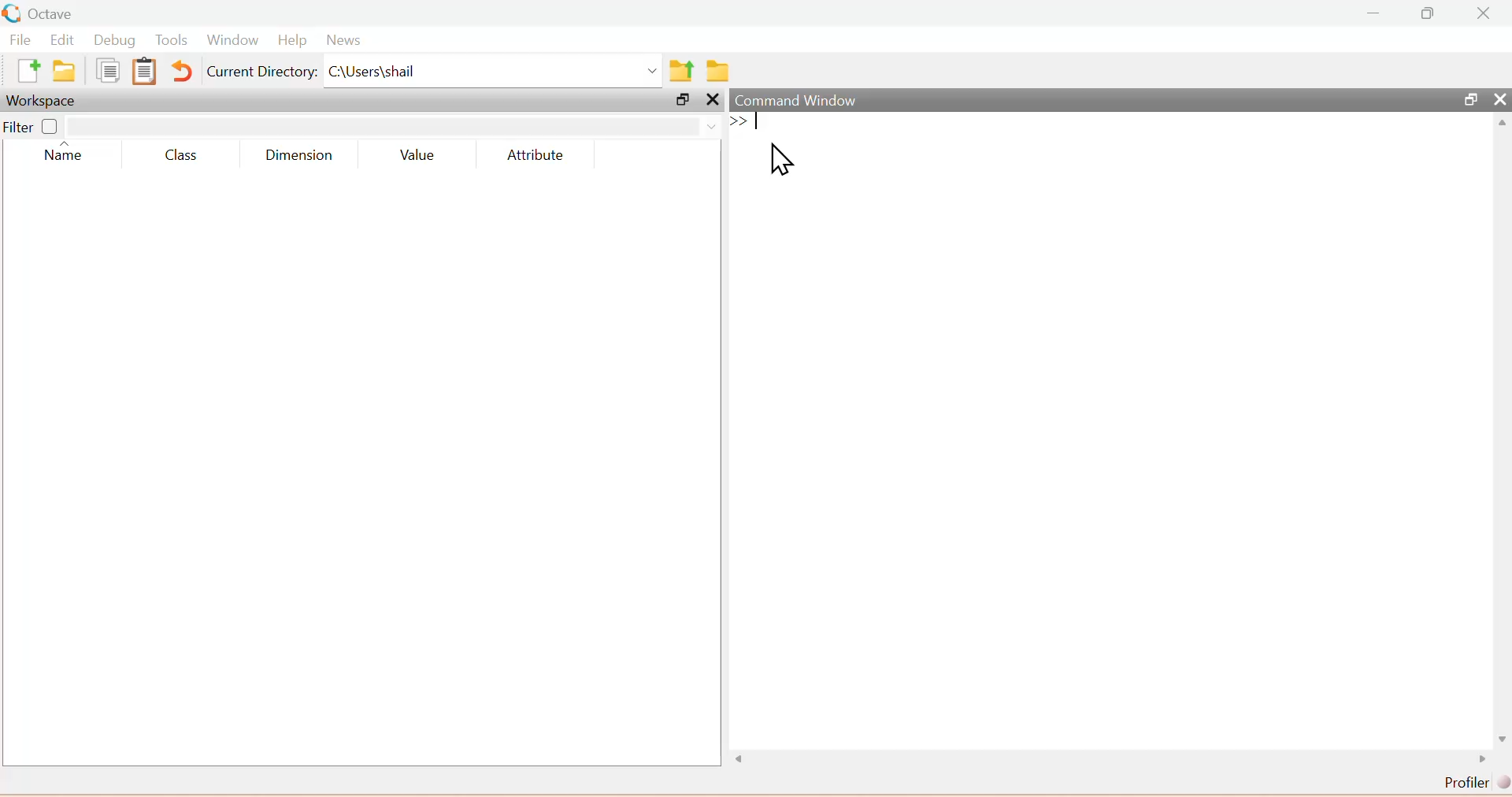  I want to click on search box, so click(382, 126).